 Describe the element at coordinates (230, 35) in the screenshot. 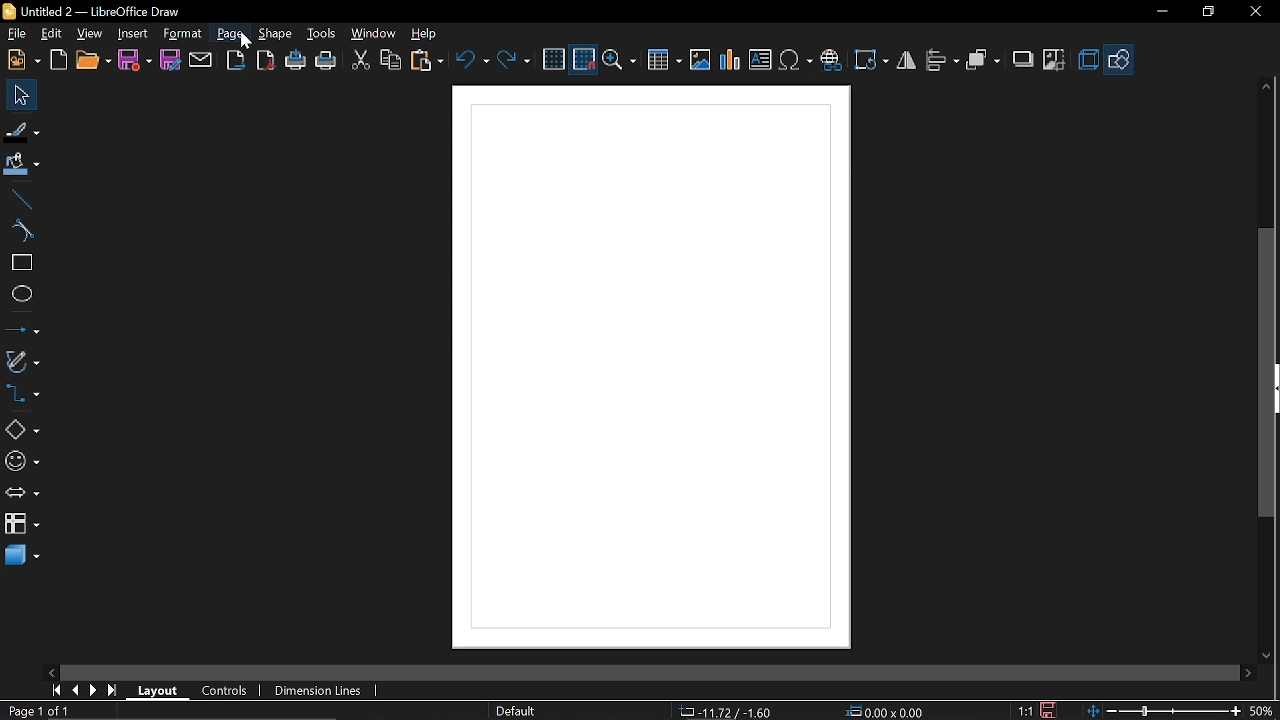

I see `Page` at that location.